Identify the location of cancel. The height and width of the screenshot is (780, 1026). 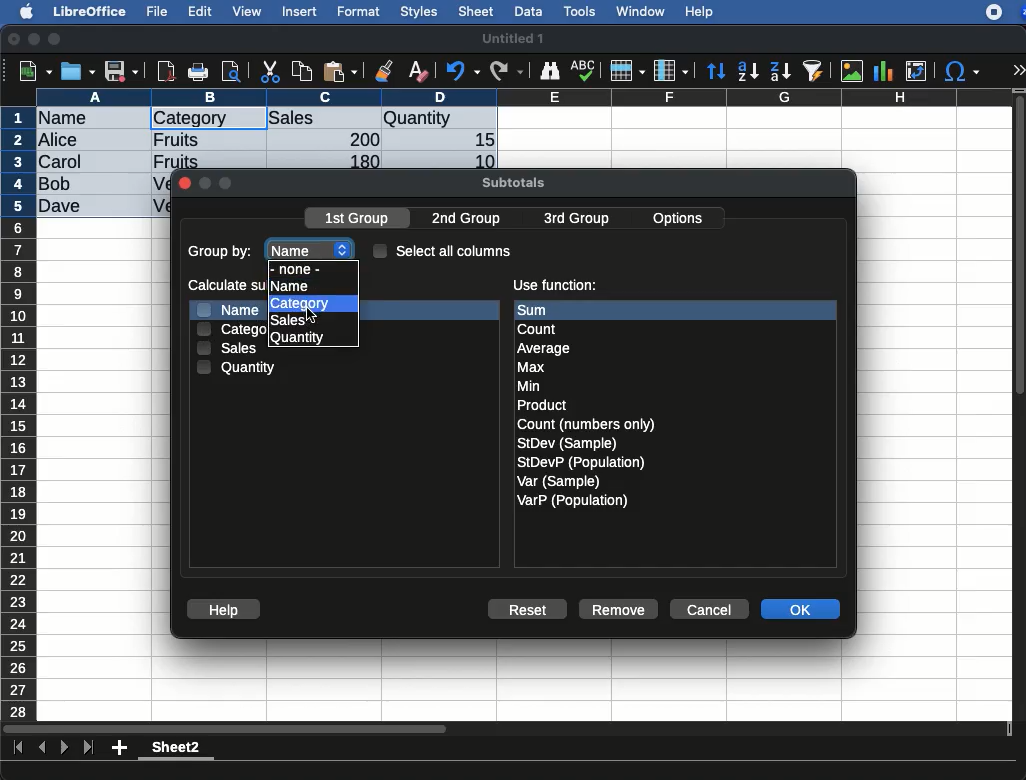
(708, 610).